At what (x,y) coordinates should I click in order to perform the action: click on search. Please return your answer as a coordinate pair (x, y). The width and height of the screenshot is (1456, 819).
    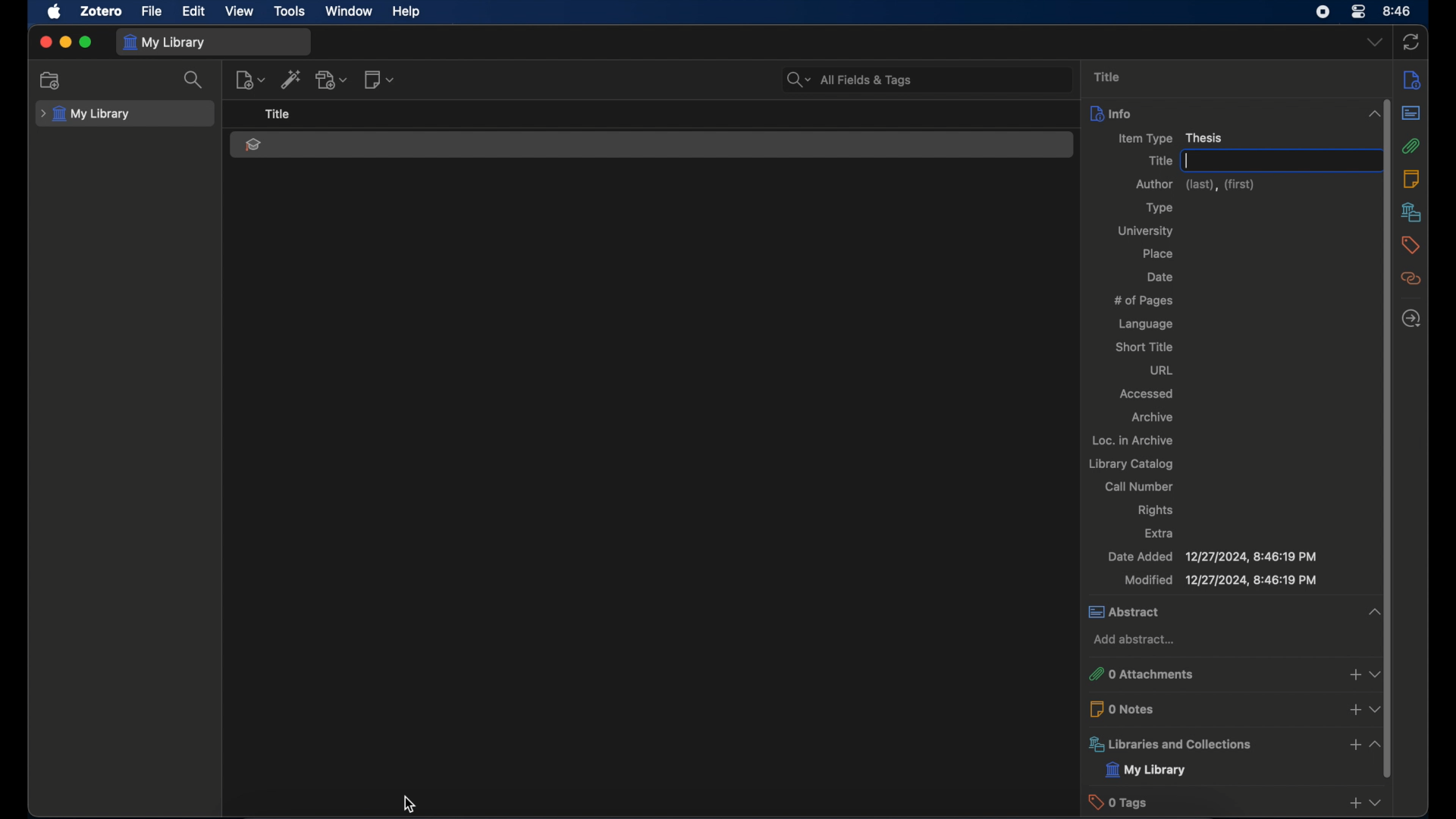
    Looking at the image, I should click on (195, 80).